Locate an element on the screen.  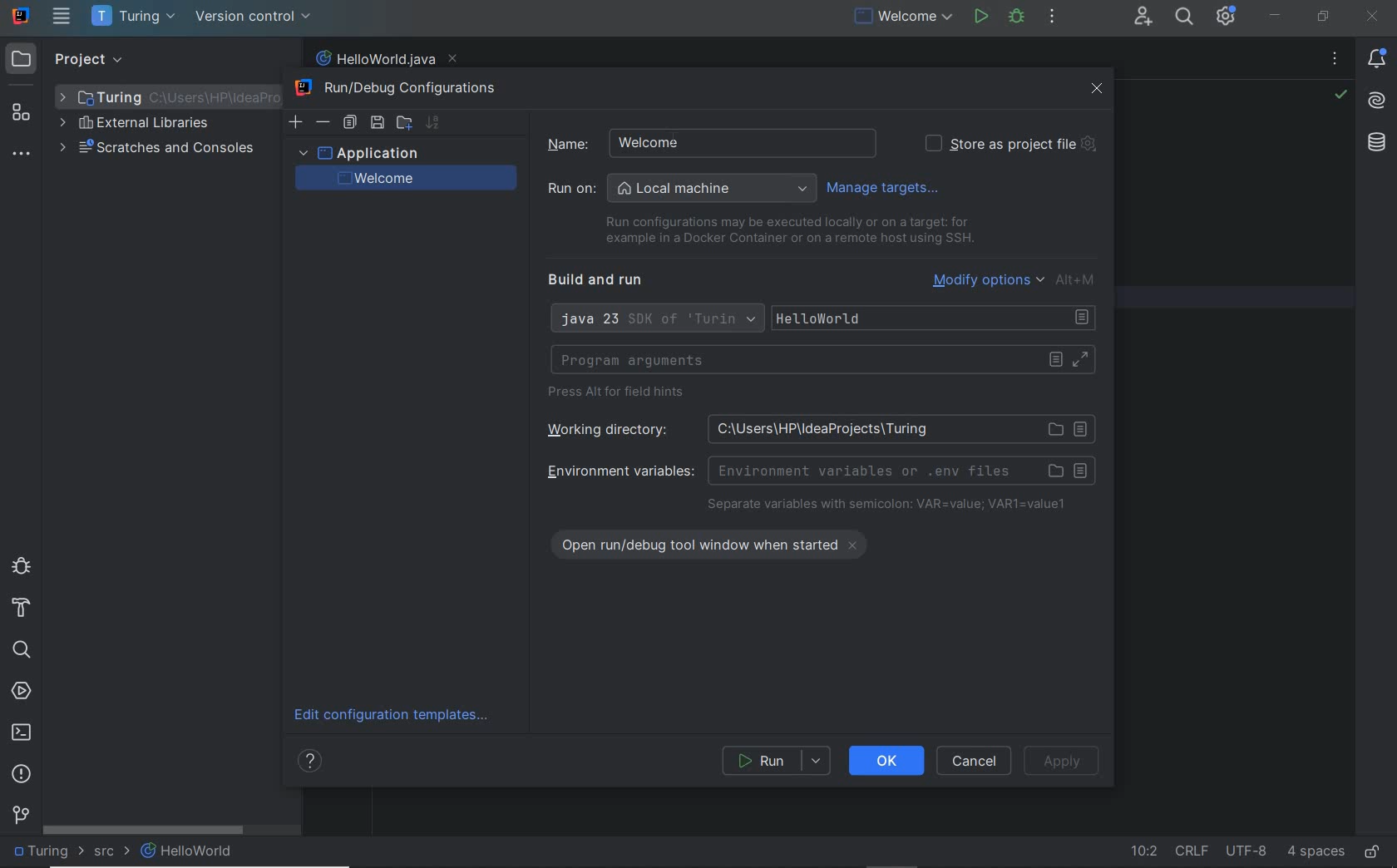
services is located at coordinates (22, 693).